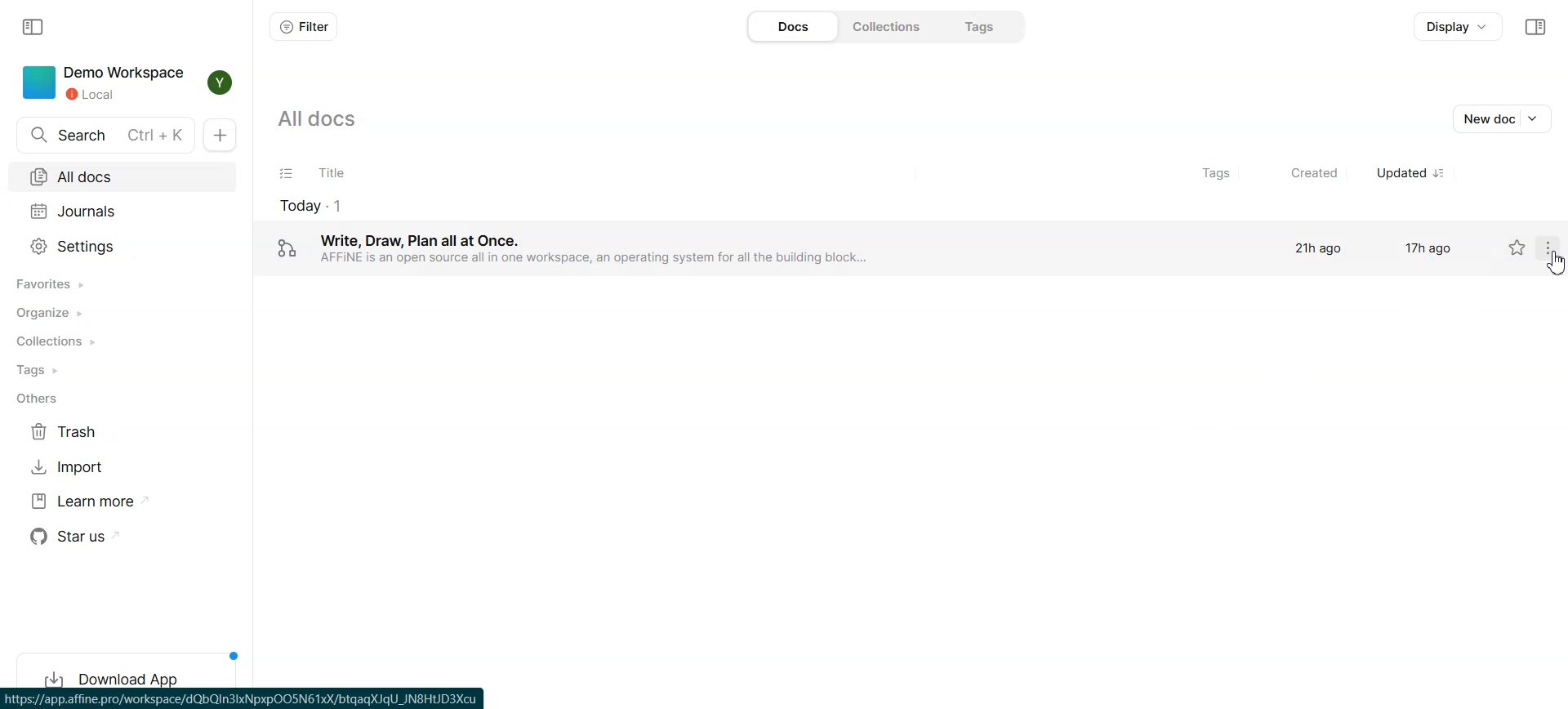  Describe the element at coordinates (1539, 118) in the screenshot. I see `Drop down box of new doc` at that location.